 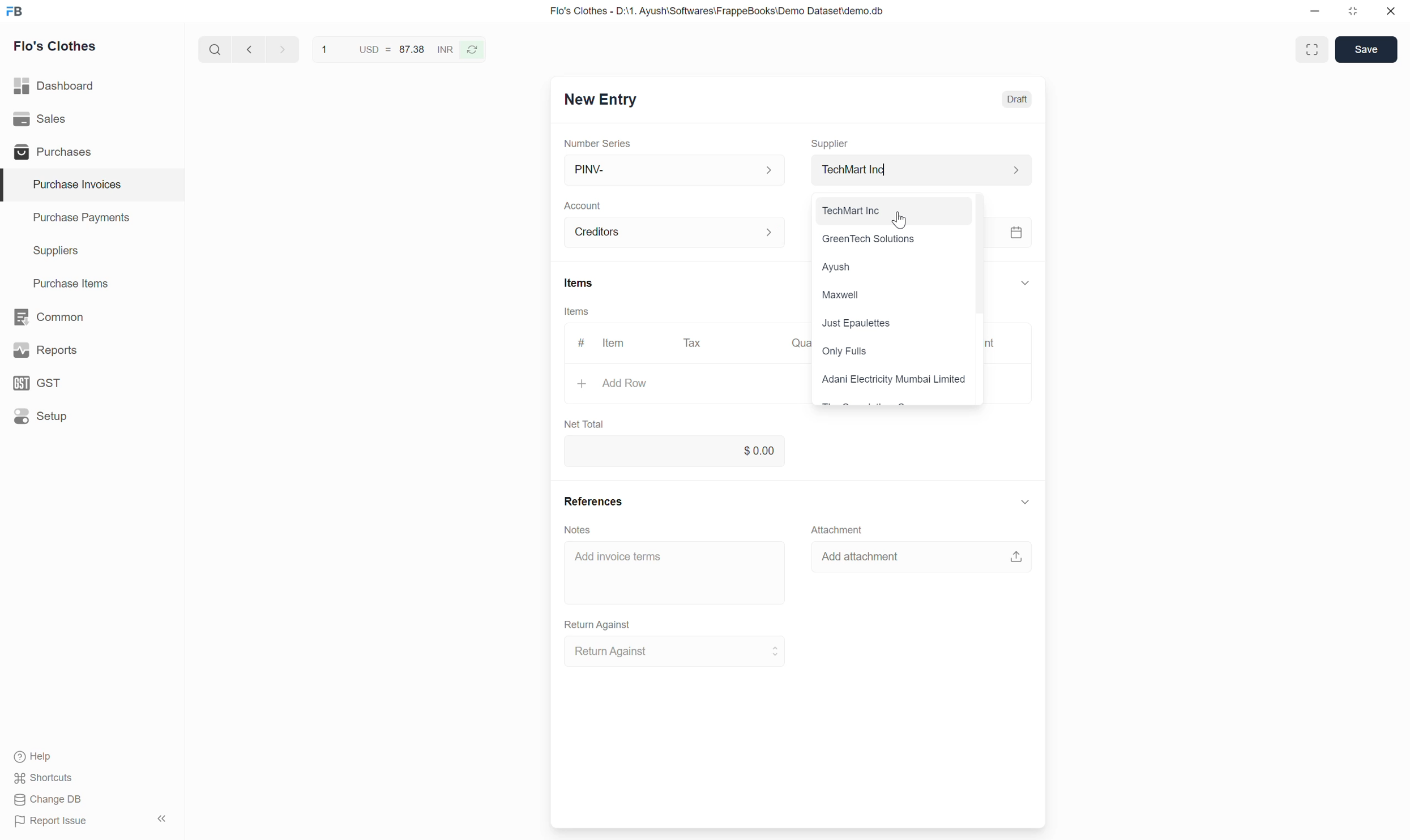 What do you see at coordinates (385, 48) in the screenshot?
I see `1 USD = 87.38 INR` at bounding box center [385, 48].